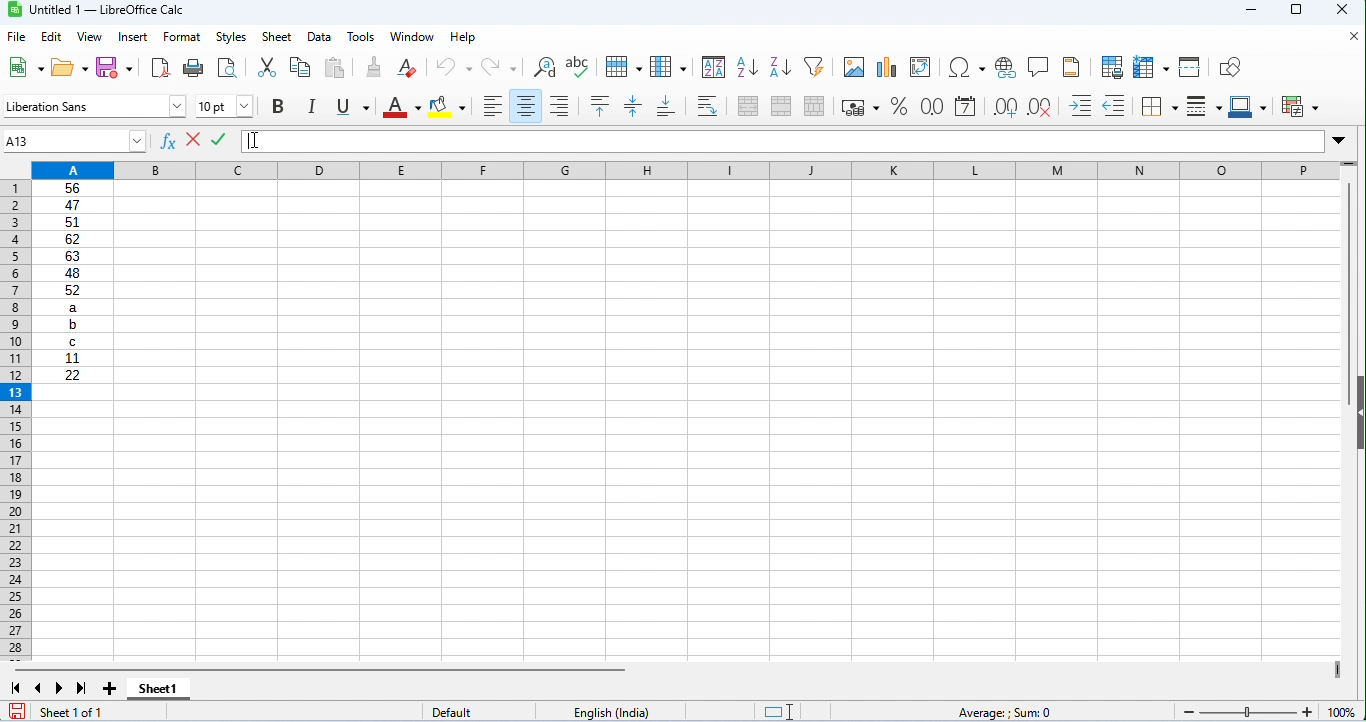 This screenshot has height=722, width=1366. Describe the element at coordinates (72, 205) in the screenshot. I see `47` at that location.